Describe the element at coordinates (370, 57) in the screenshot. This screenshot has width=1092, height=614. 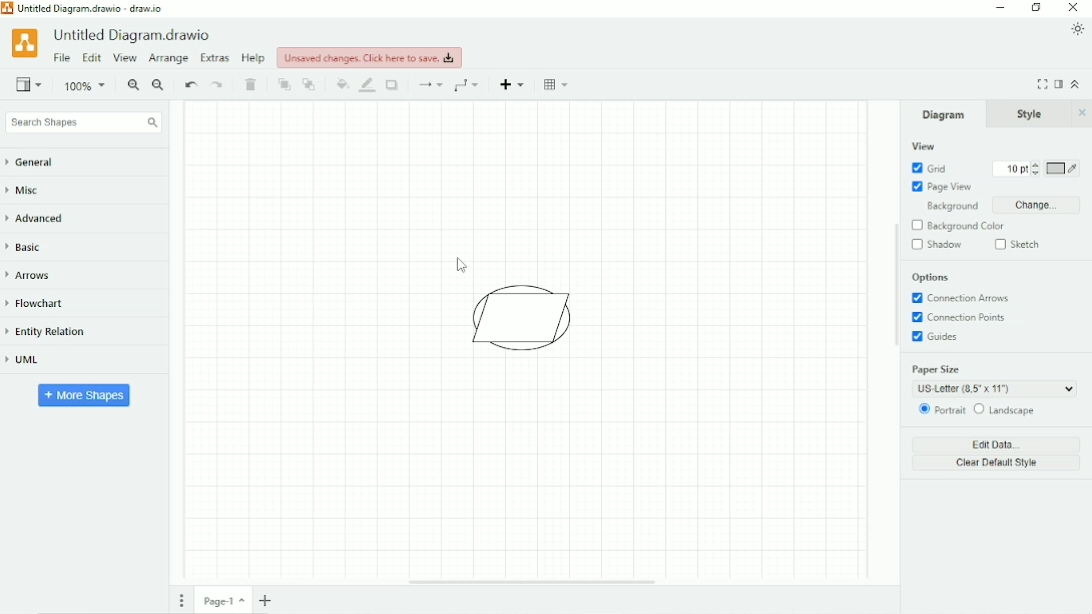
I see `Unsaved changes. Click here to save.` at that location.